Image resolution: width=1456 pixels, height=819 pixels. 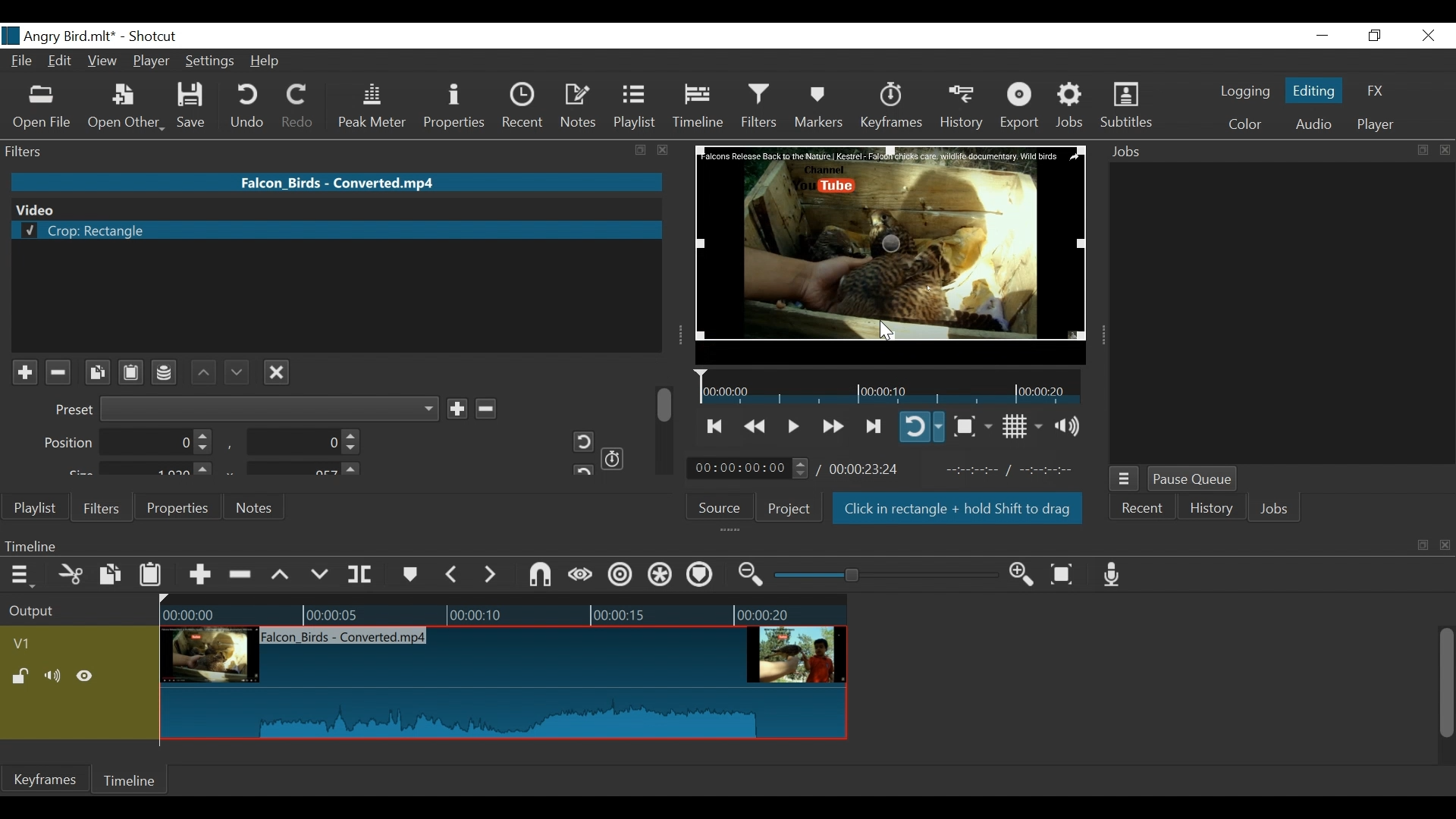 I want to click on Project, so click(x=789, y=508).